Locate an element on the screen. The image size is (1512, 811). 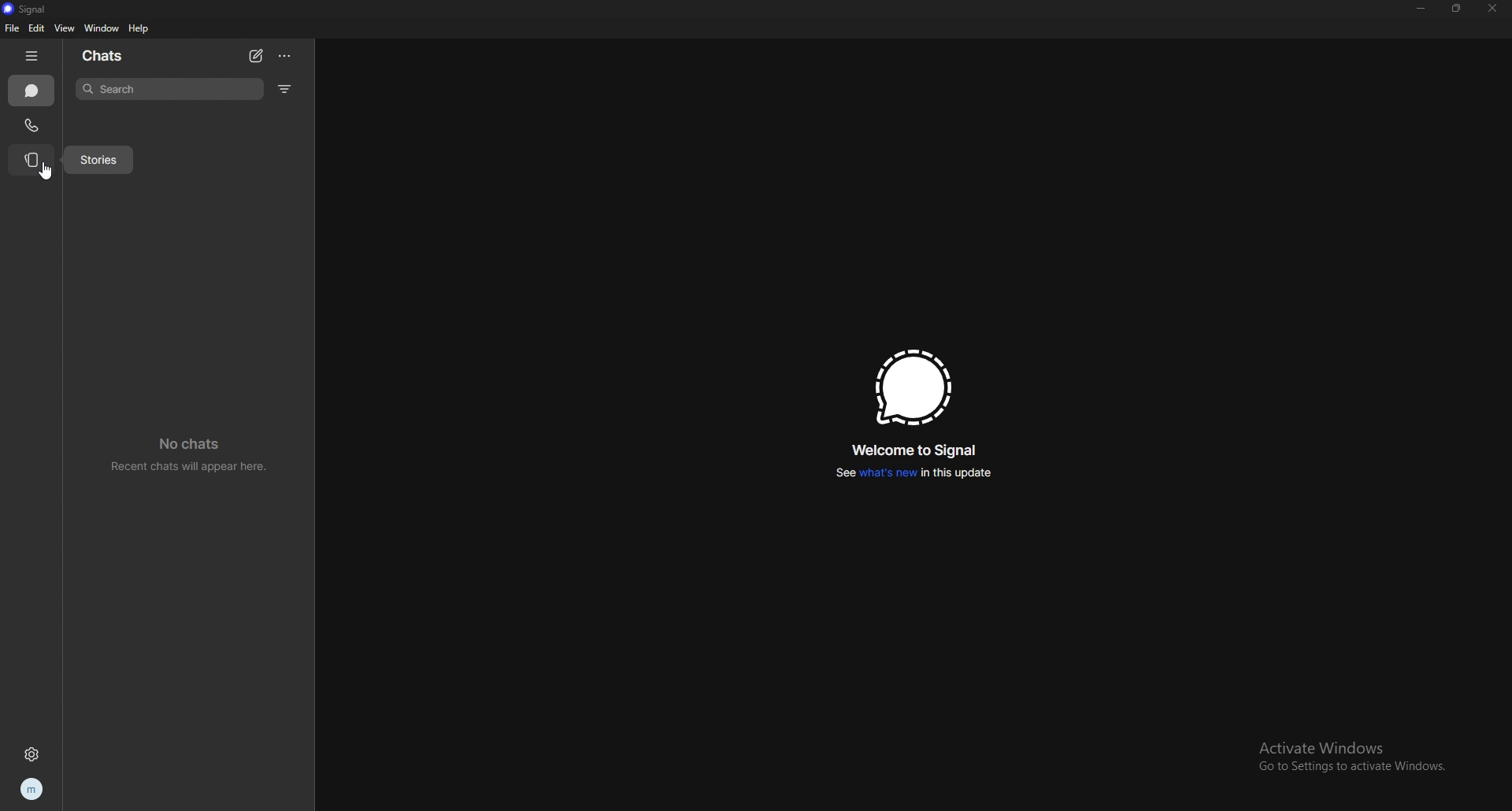
resize is located at coordinates (1456, 9).